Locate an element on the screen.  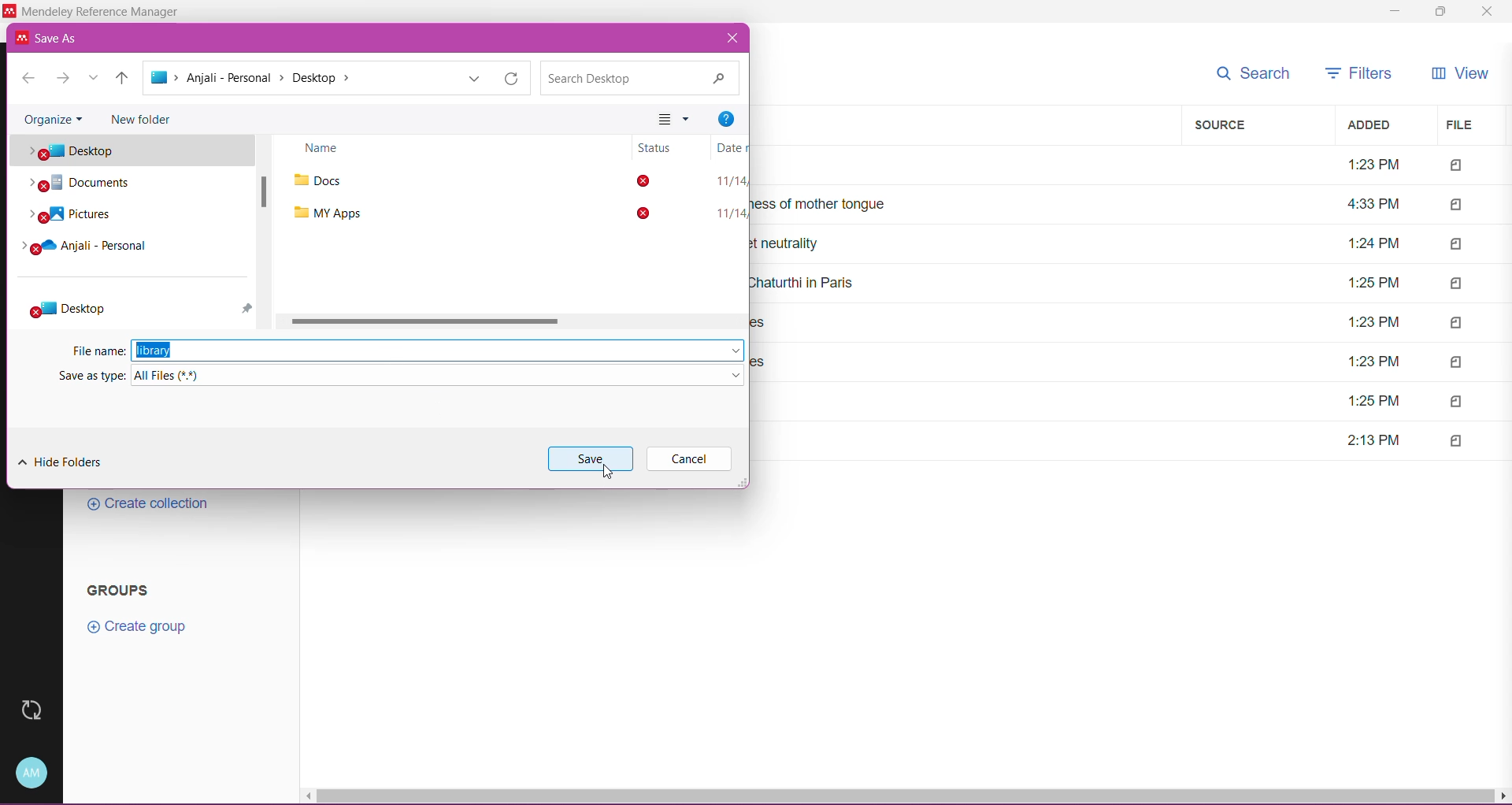
Horizontal Scroll is located at coordinates (431, 321).